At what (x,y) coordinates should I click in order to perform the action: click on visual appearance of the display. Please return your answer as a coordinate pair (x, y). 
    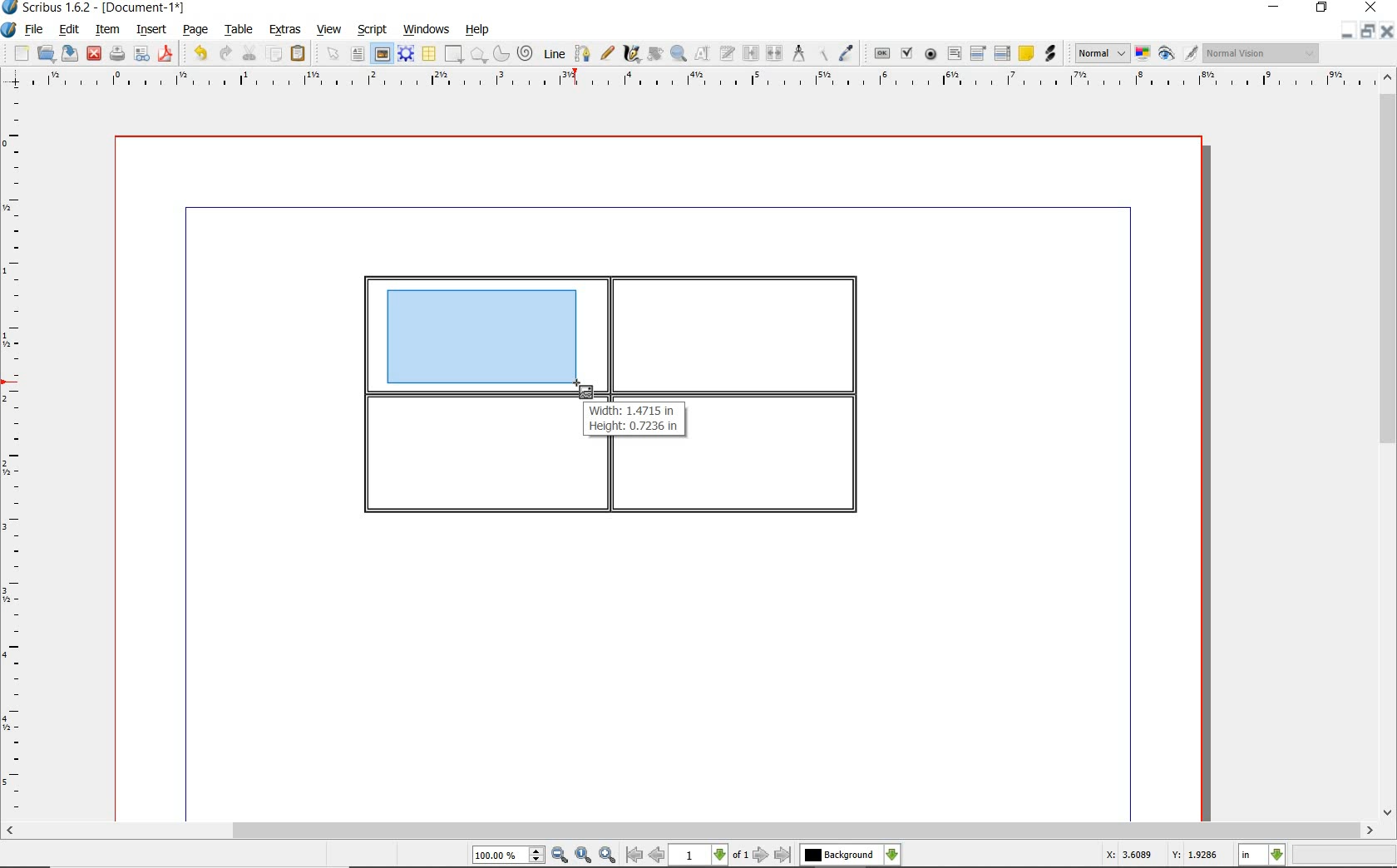
    Looking at the image, I should click on (1259, 53).